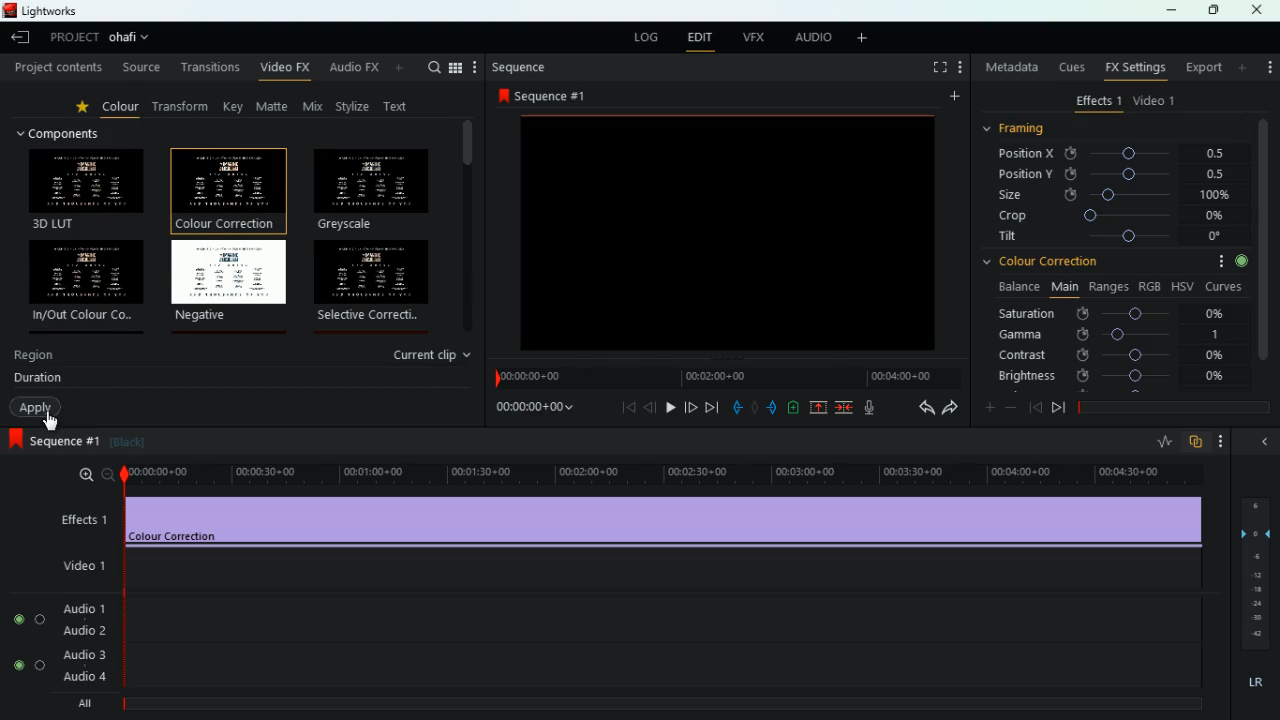 This screenshot has width=1280, height=720. Describe the element at coordinates (1033, 407) in the screenshot. I see `previous` at that location.